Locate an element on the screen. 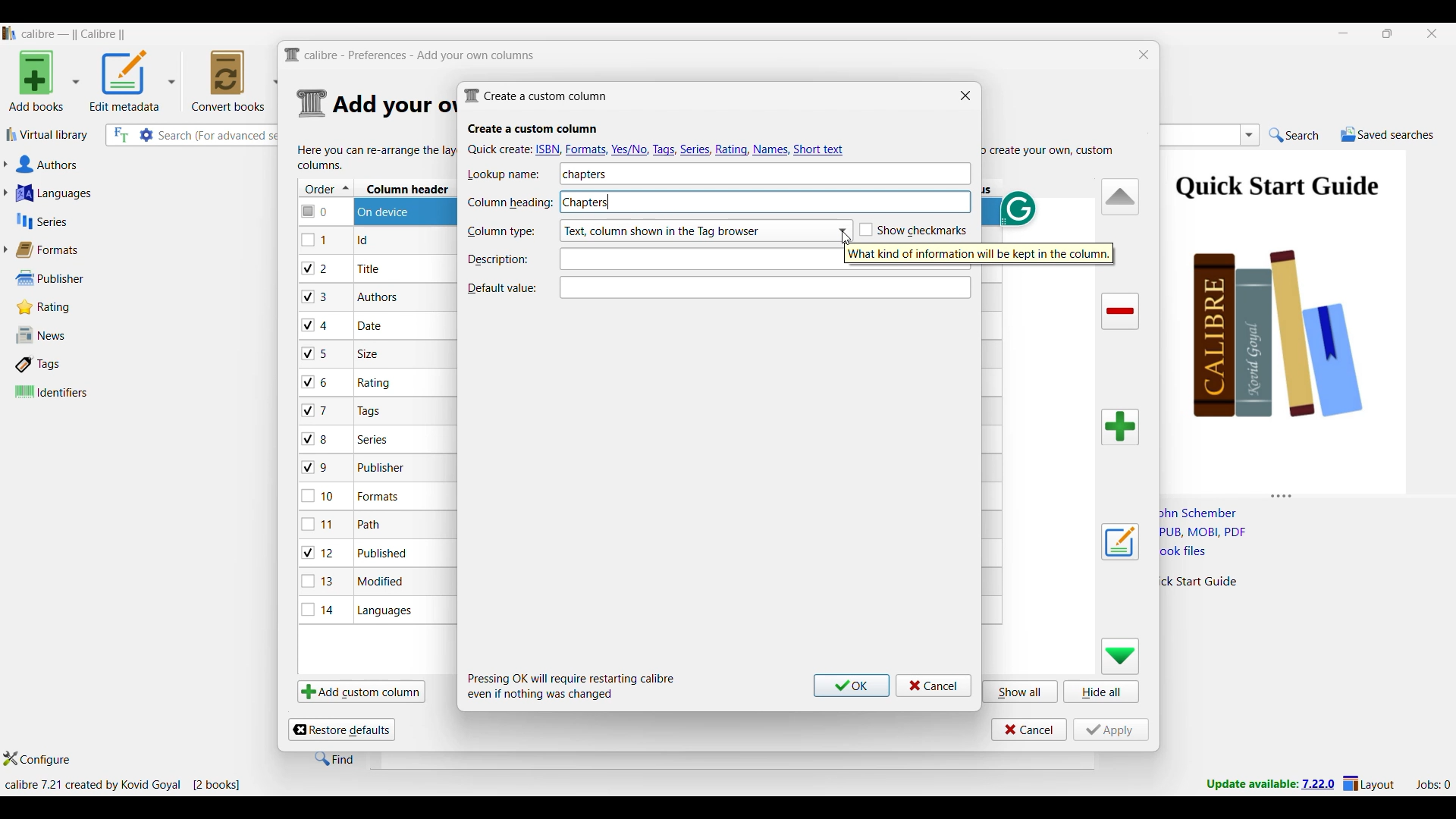  Column type options is located at coordinates (705, 231).